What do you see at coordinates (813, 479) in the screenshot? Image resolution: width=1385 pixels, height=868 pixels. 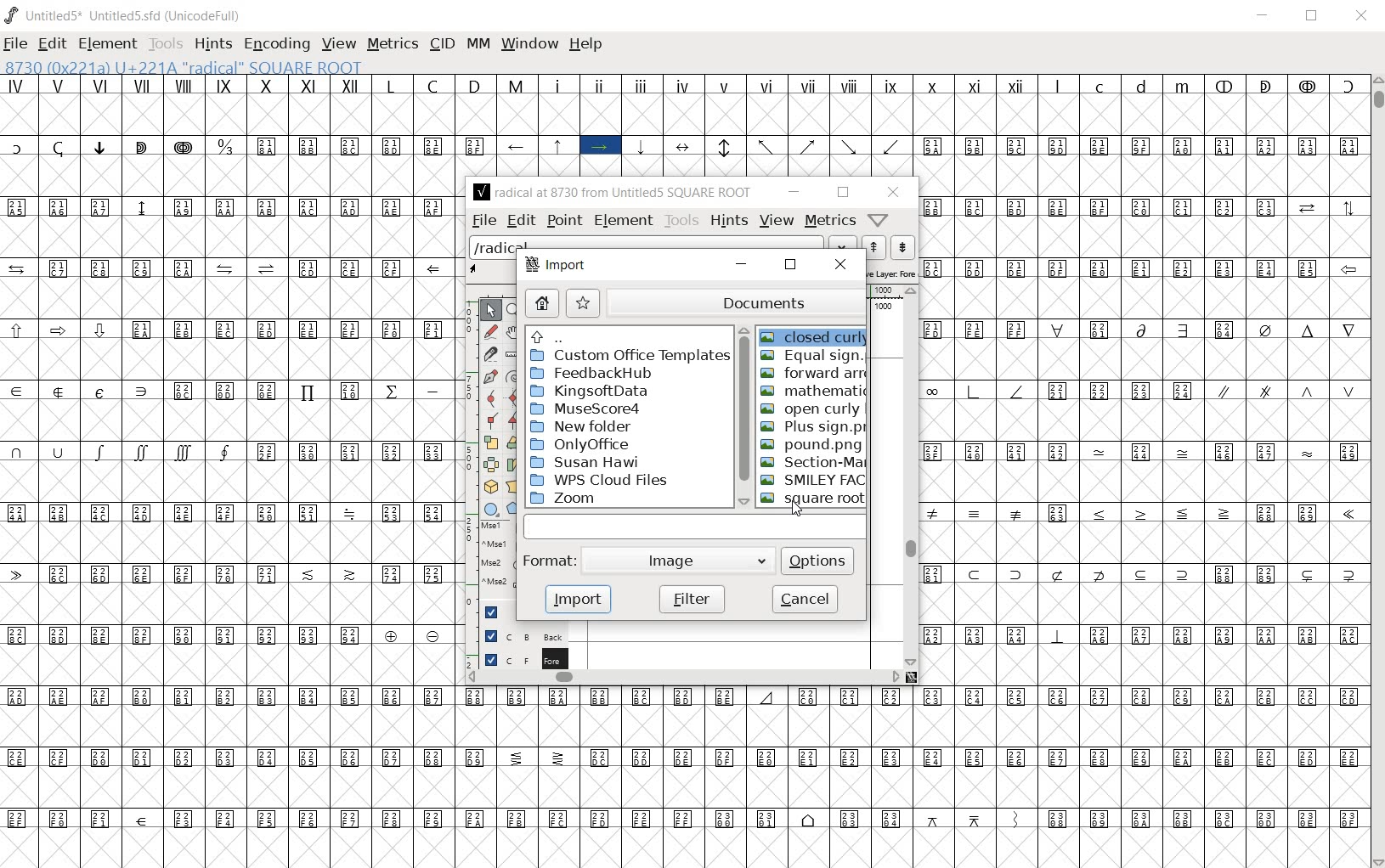 I see `SMILEY FACE` at bounding box center [813, 479].